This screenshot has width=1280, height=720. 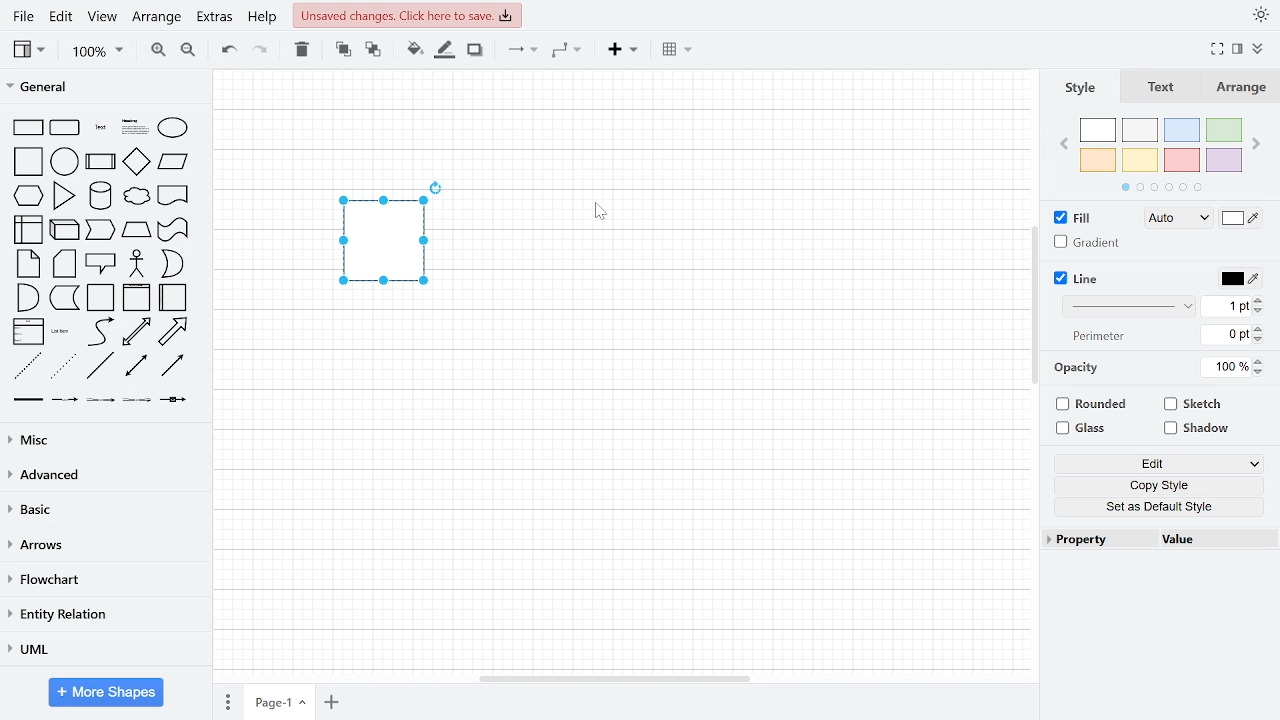 What do you see at coordinates (1183, 539) in the screenshot?
I see `value` at bounding box center [1183, 539].